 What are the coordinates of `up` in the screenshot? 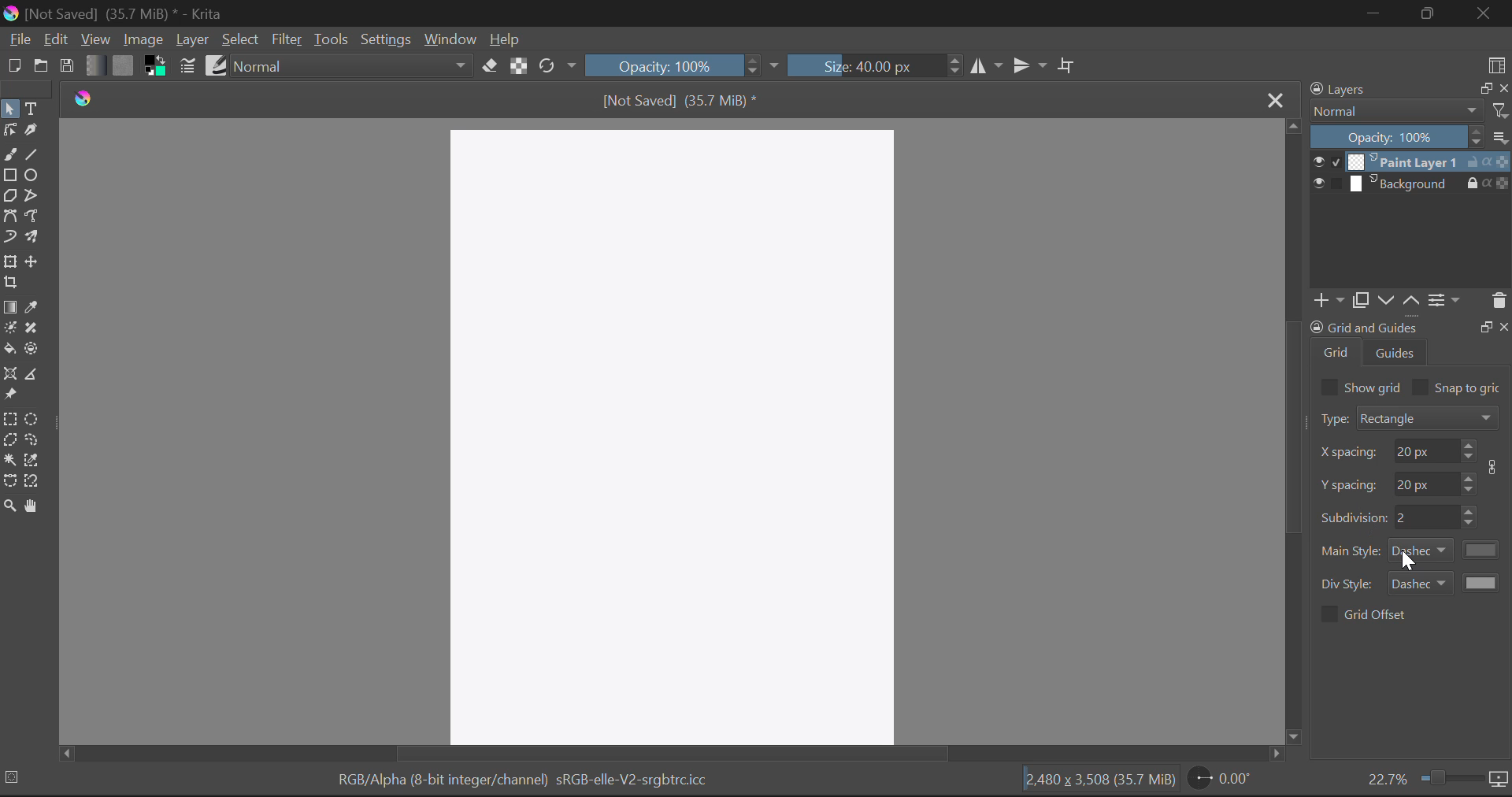 It's located at (1410, 301).